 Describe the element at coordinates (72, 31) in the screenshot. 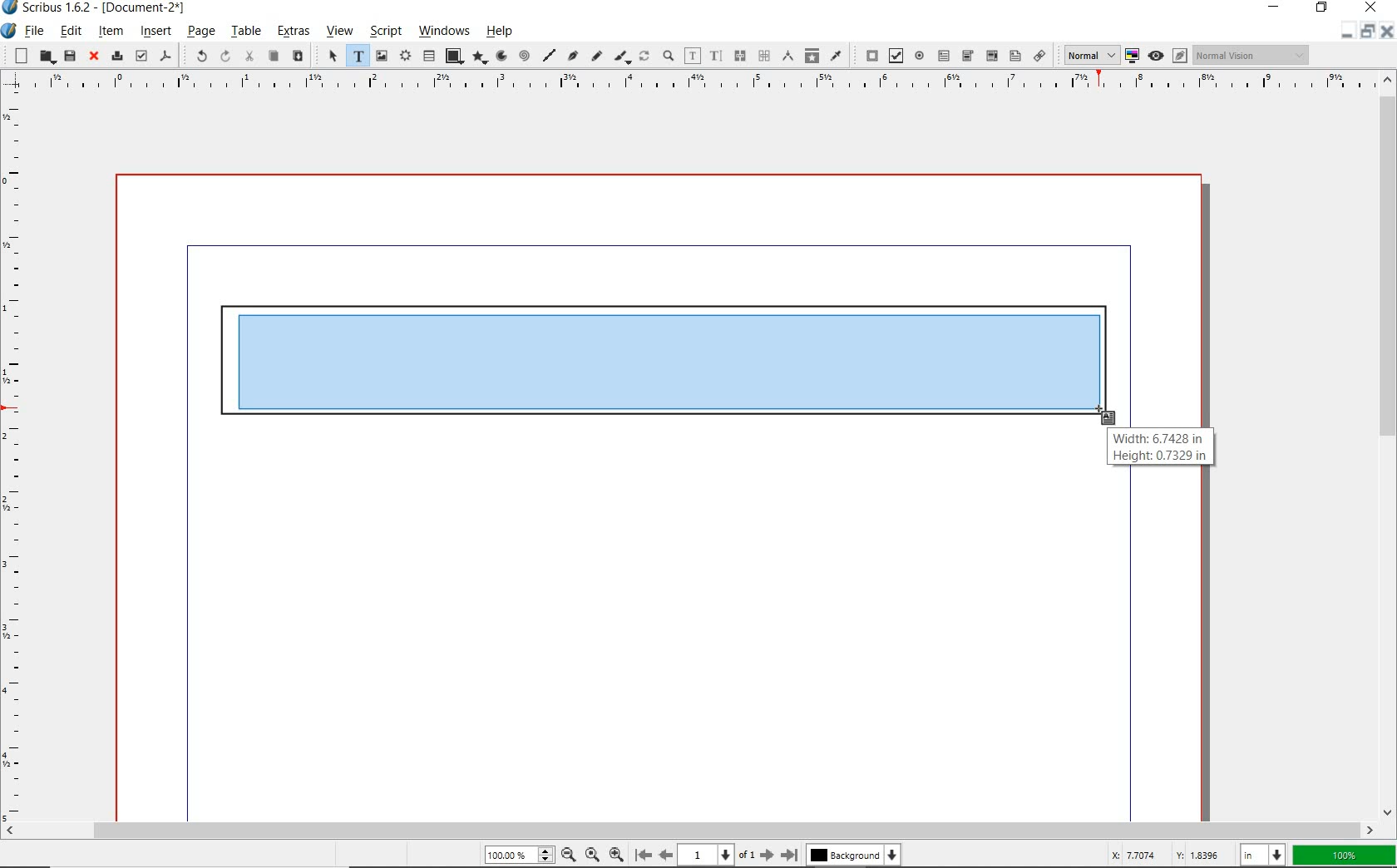

I see `edit` at that location.